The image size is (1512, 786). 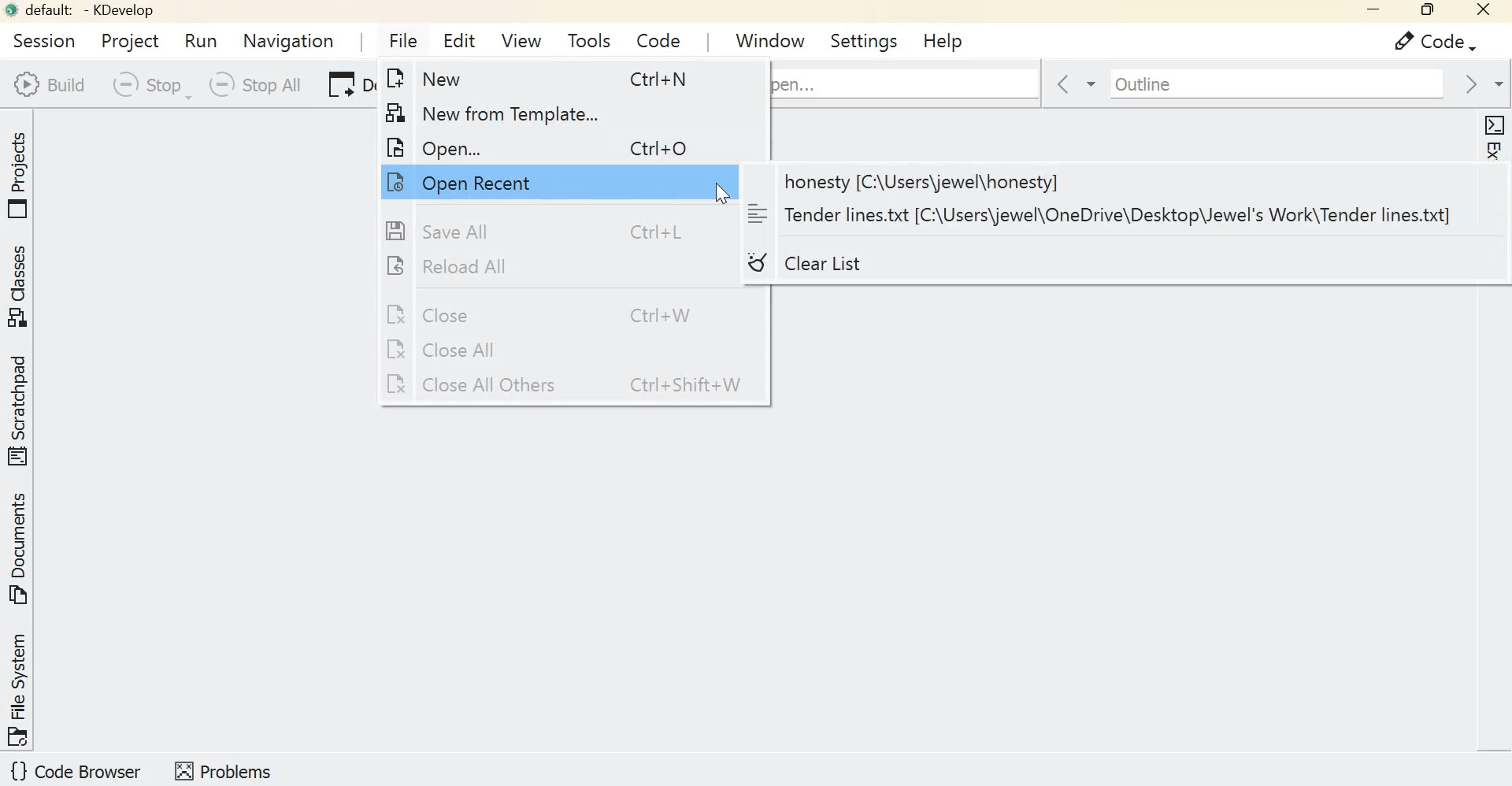 I want to click on Menu allowing to Stop all individual jobs, so click(x=148, y=85).